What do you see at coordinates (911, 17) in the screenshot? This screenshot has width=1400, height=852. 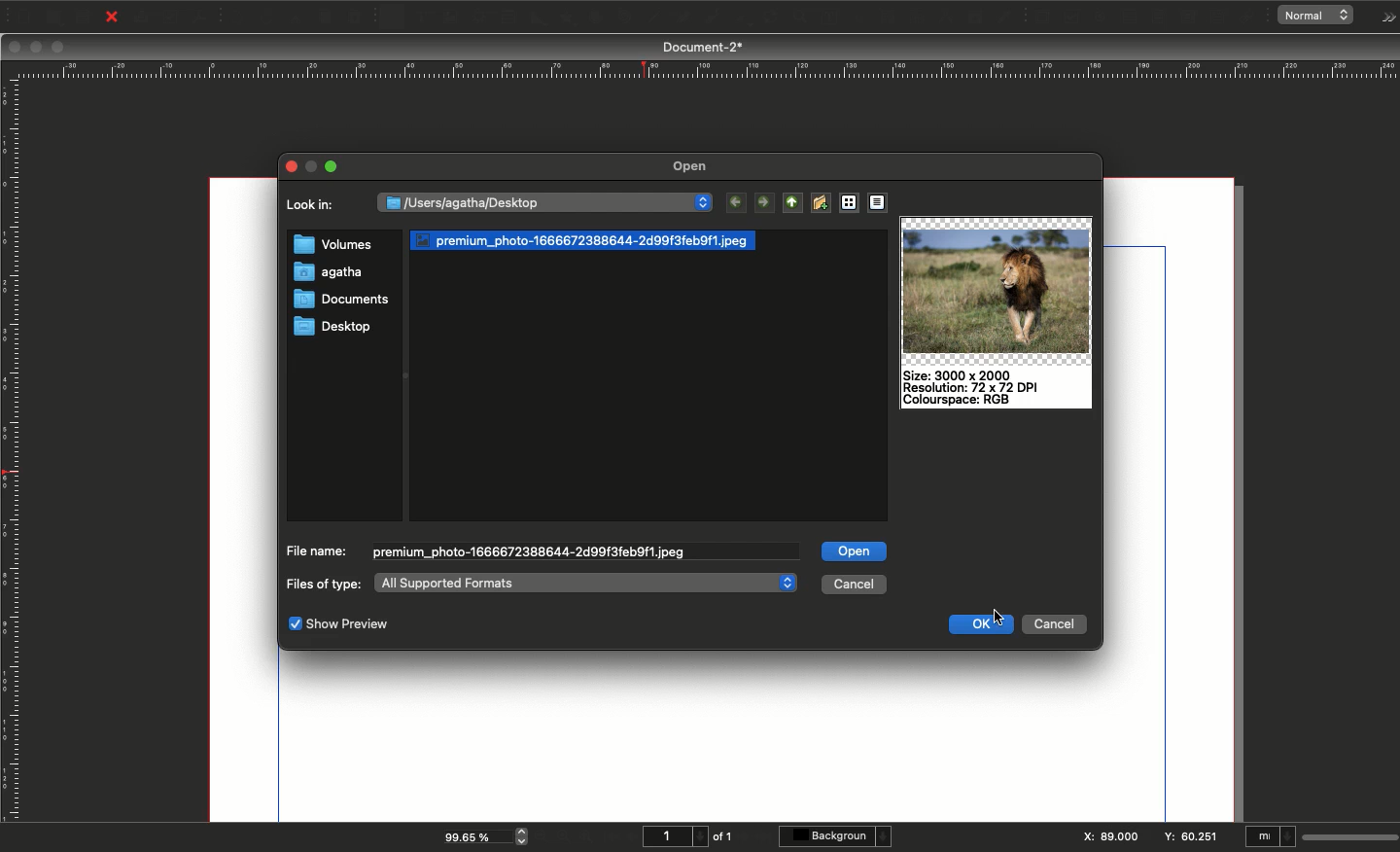 I see `Unlink text frames` at bounding box center [911, 17].